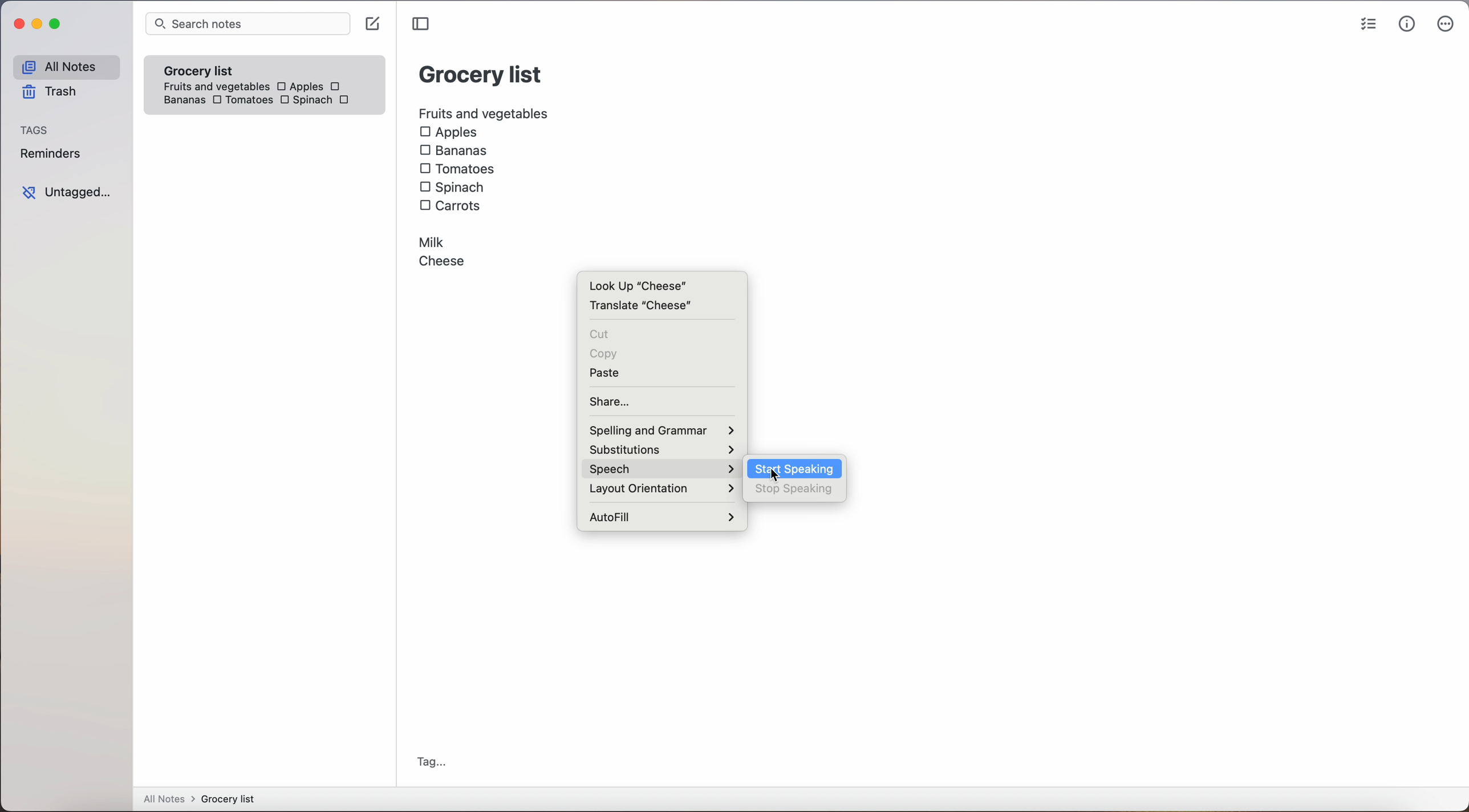 The image size is (1469, 812). I want to click on click on start speaking, so click(795, 468).